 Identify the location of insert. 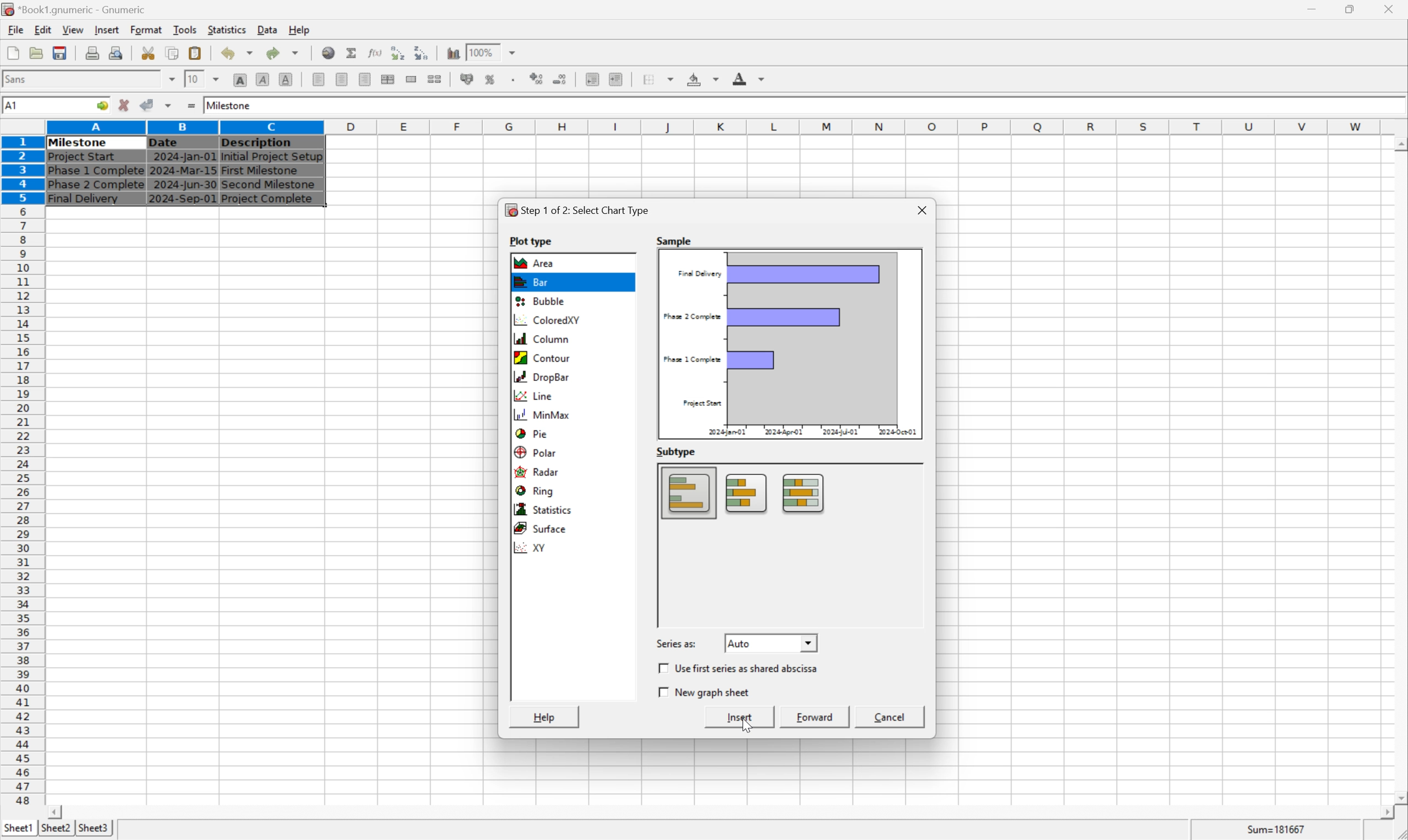
(106, 31).